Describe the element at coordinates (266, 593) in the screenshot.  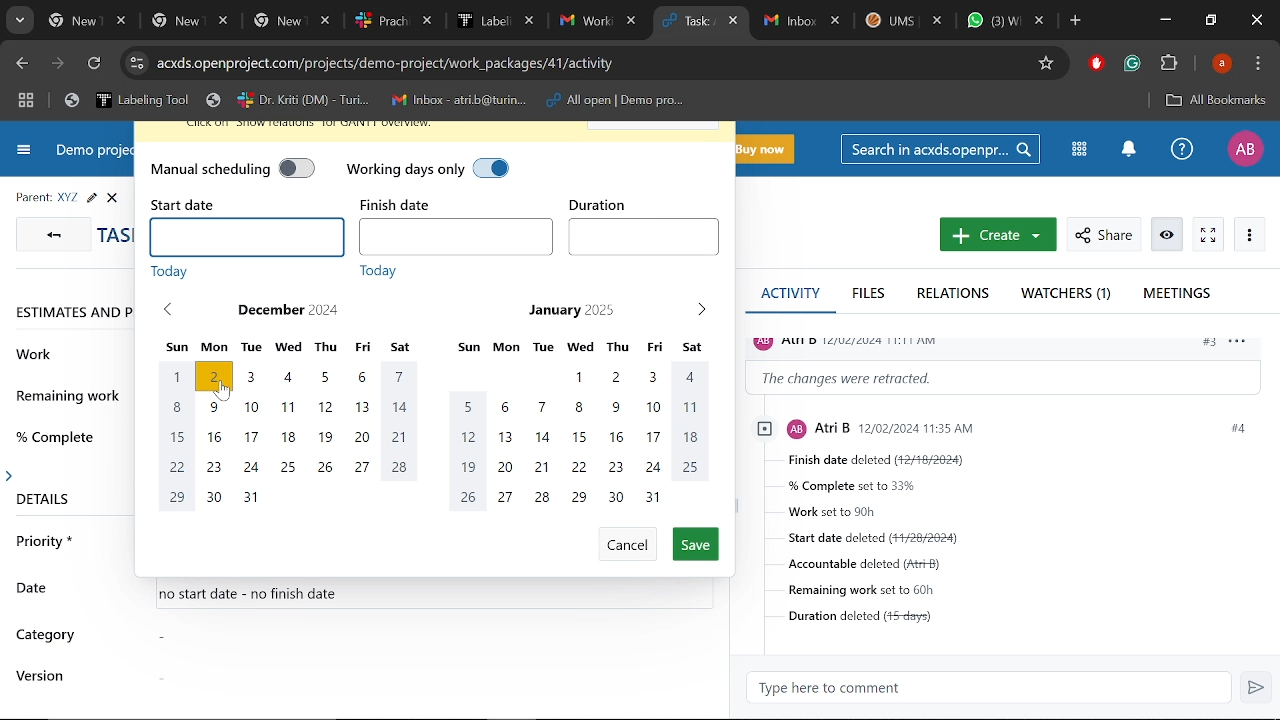
I see `no start date - no finish date` at that location.